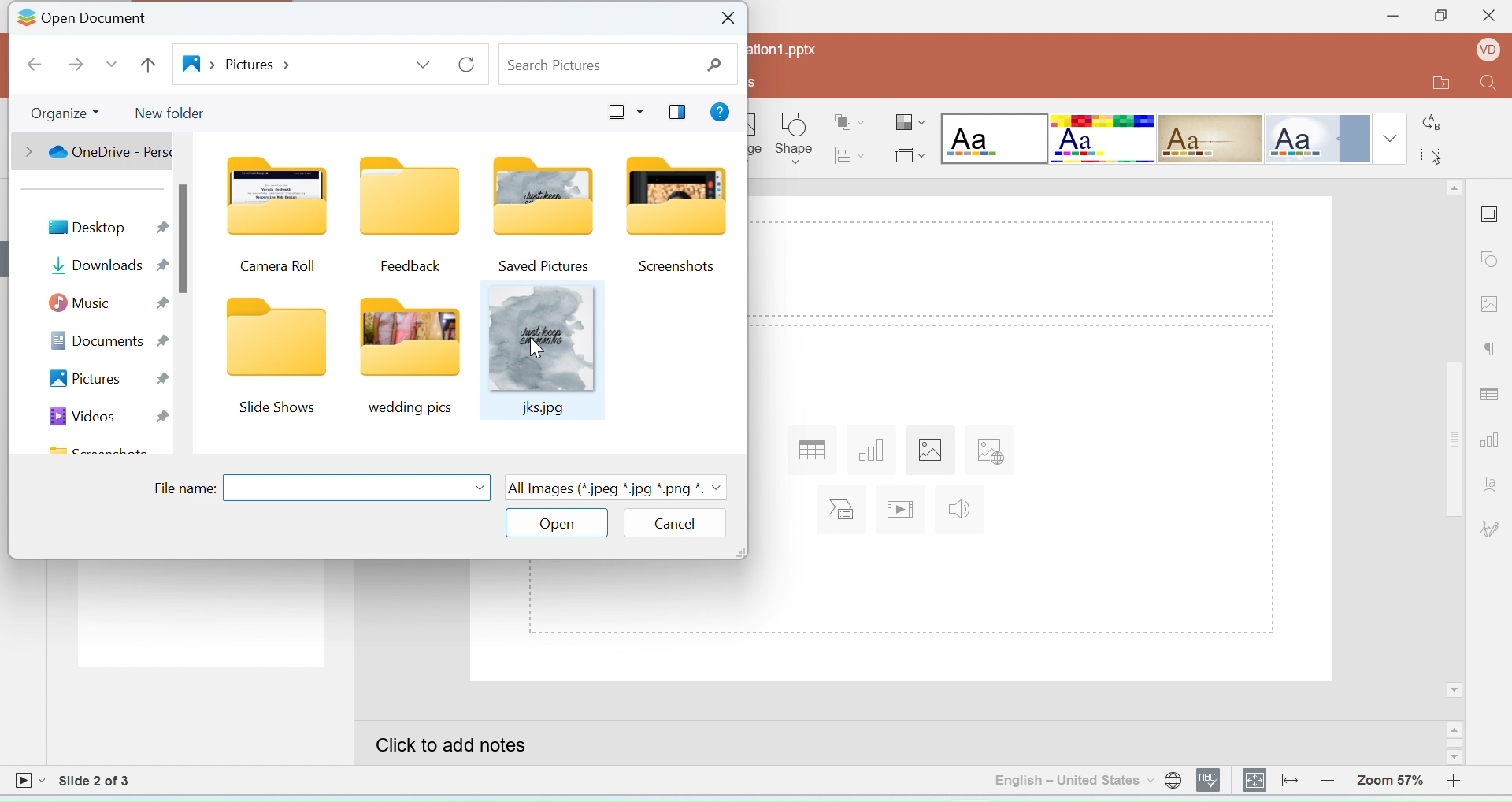 The image size is (1512, 802). What do you see at coordinates (107, 228) in the screenshot?
I see `desktop` at bounding box center [107, 228].